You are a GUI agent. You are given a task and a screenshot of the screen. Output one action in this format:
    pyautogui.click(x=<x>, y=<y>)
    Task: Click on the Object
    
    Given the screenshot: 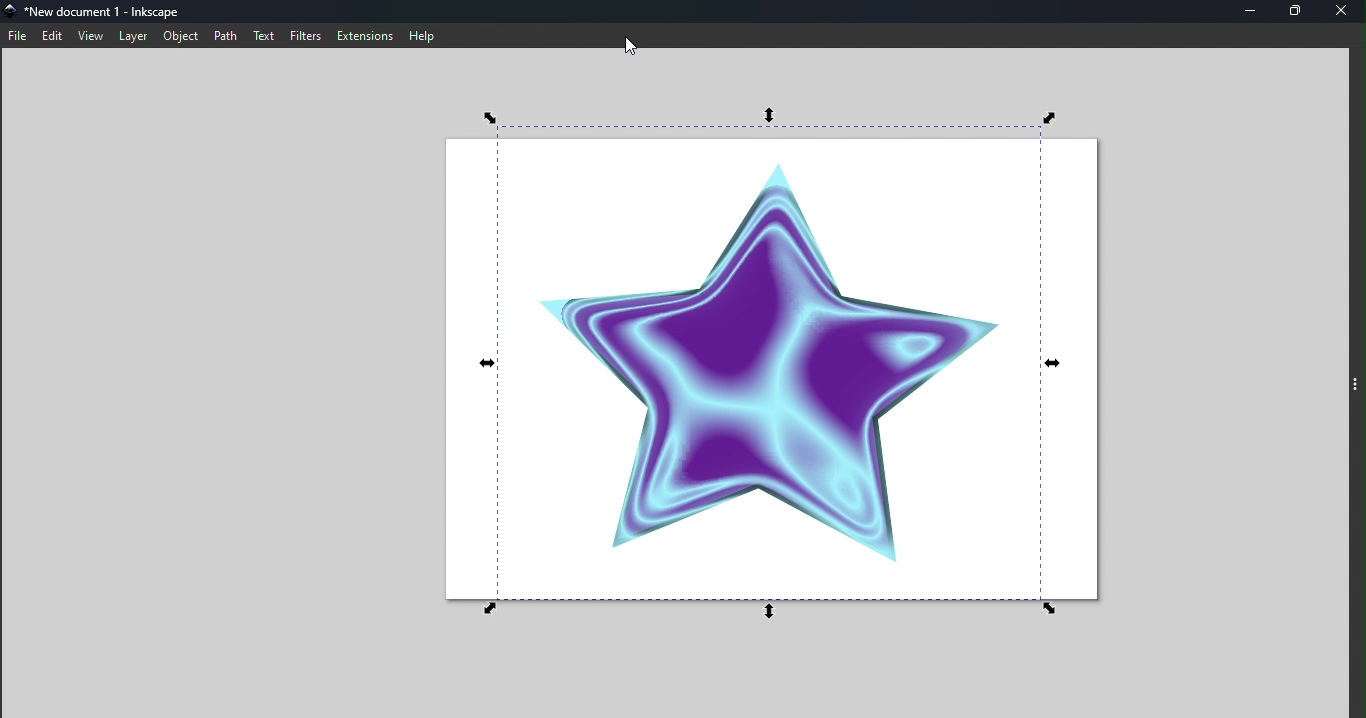 What is the action you would take?
    pyautogui.click(x=181, y=37)
    